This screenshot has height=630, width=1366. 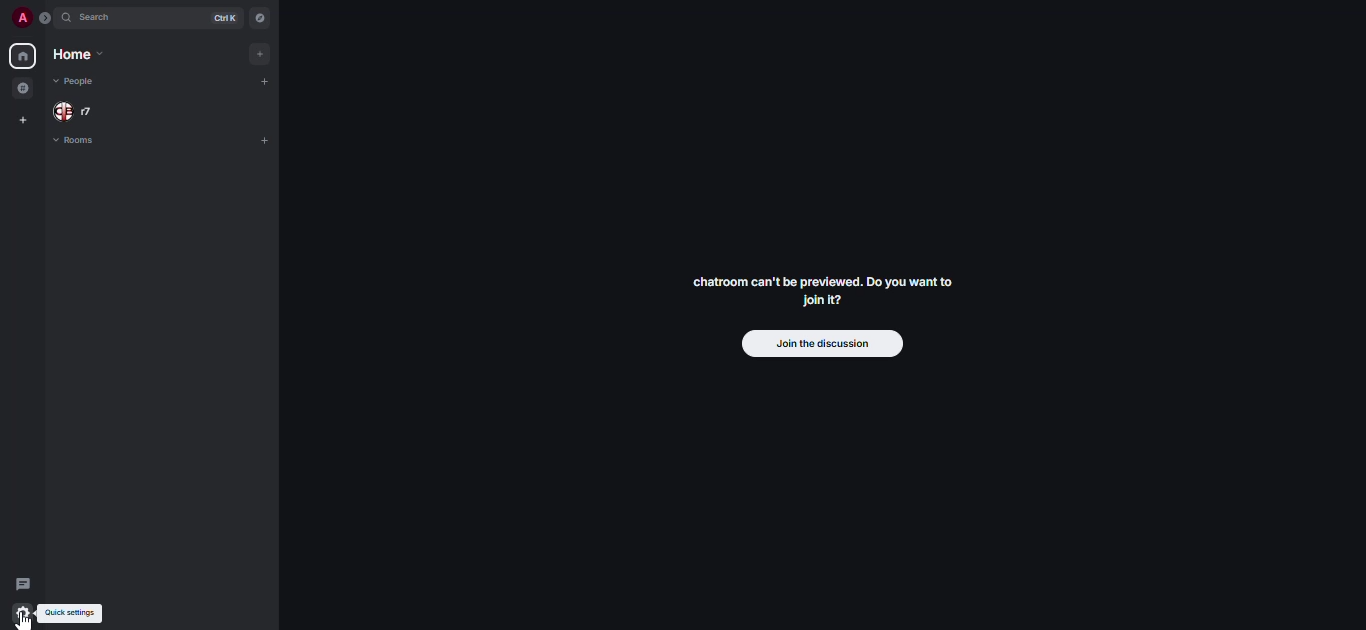 I want to click on cursor, so click(x=27, y=621).